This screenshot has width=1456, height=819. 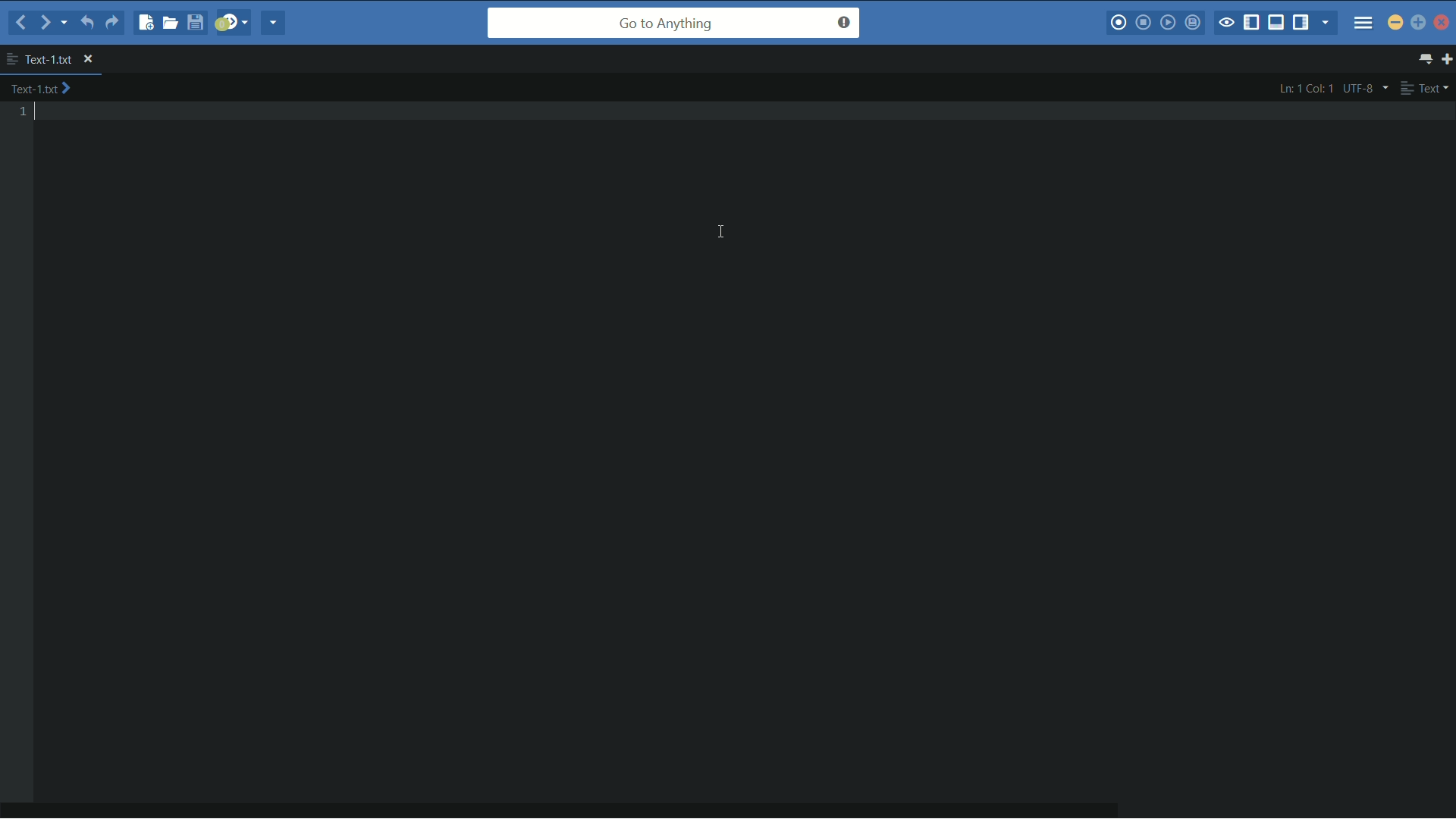 What do you see at coordinates (1395, 21) in the screenshot?
I see `minimize` at bounding box center [1395, 21].